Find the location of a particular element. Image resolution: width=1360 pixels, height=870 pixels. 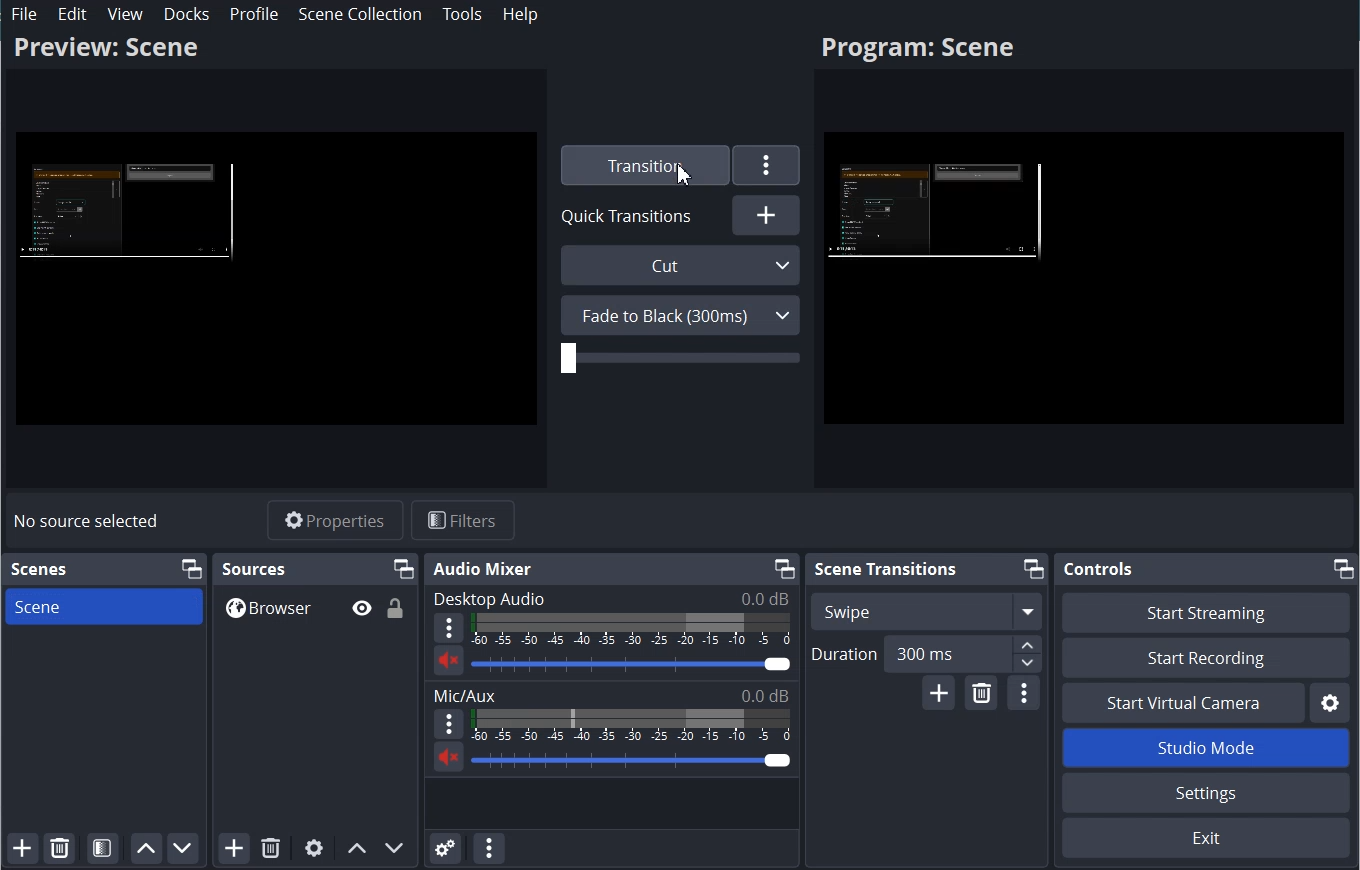

Profile is located at coordinates (253, 14).